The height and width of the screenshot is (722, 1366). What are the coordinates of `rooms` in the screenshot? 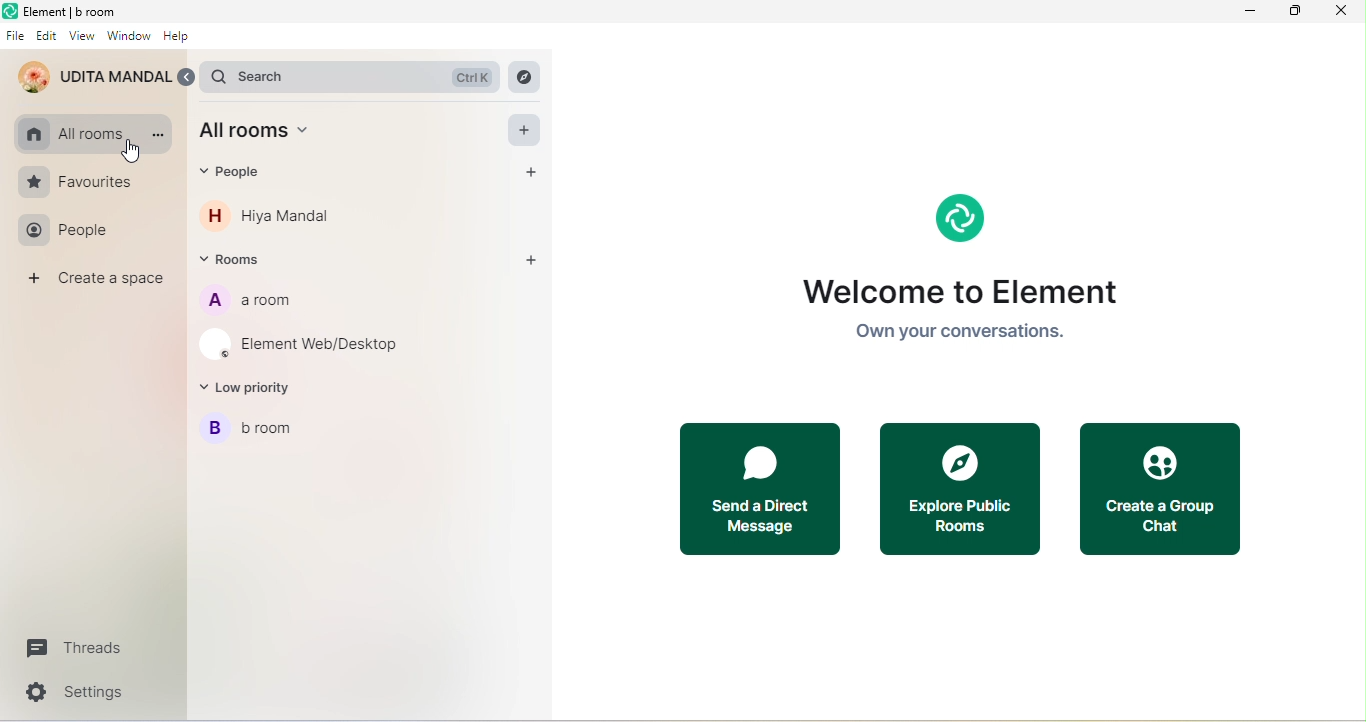 It's located at (238, 260).